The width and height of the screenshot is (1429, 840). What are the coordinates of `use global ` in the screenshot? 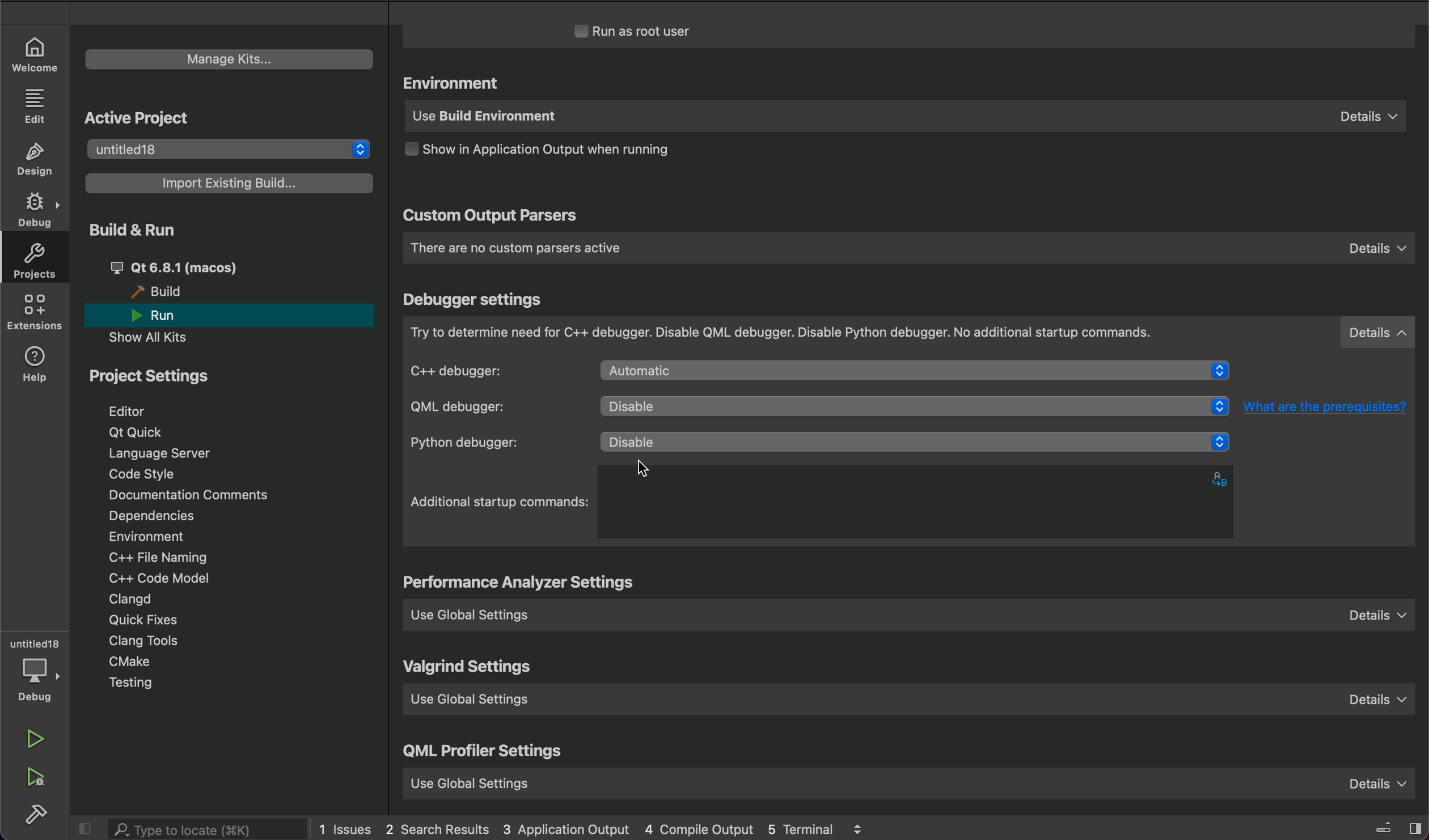 It's located at (916, 614).